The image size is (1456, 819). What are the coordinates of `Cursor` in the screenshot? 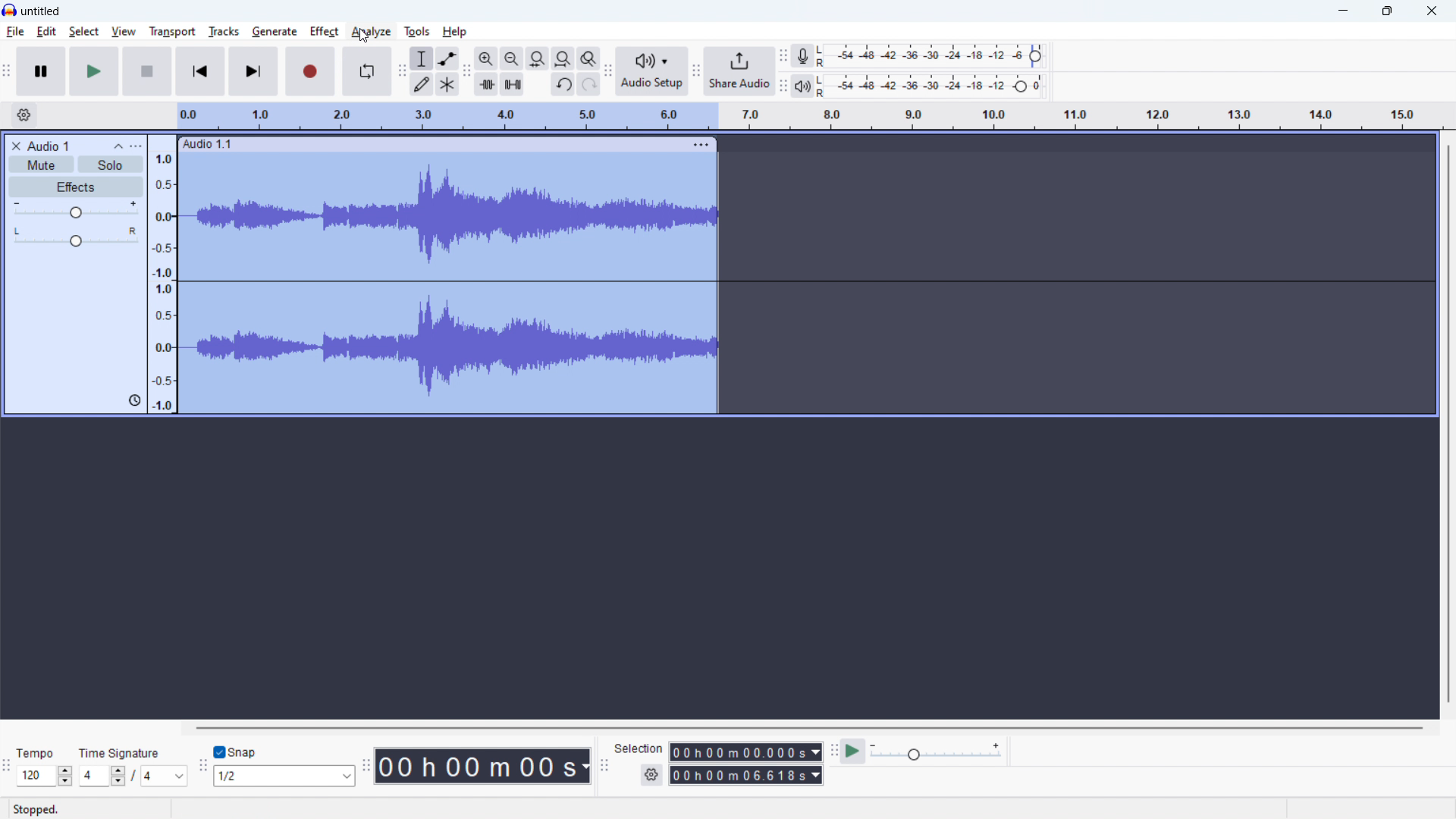 It's located at (366, 35).